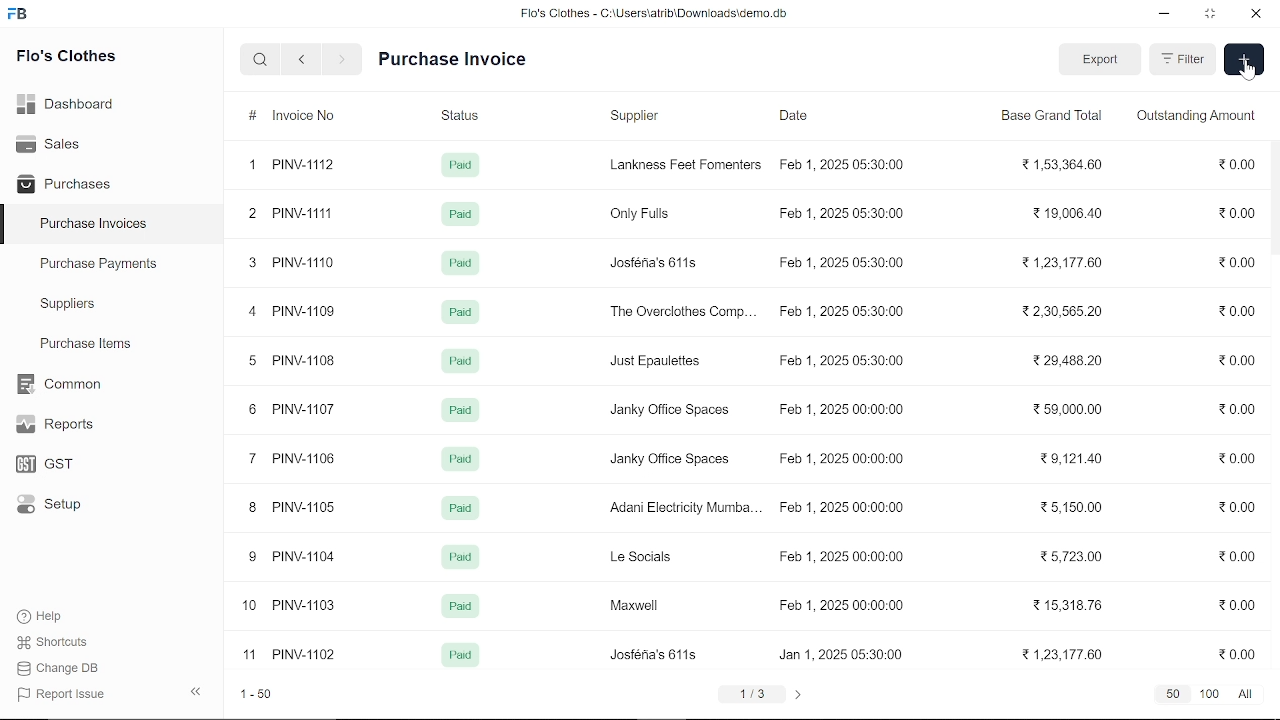 This screenshot has height=720, width=1280. Describe the element at coordinates (633, 117) in the screenshot. I see `‘Supplier` at that location.